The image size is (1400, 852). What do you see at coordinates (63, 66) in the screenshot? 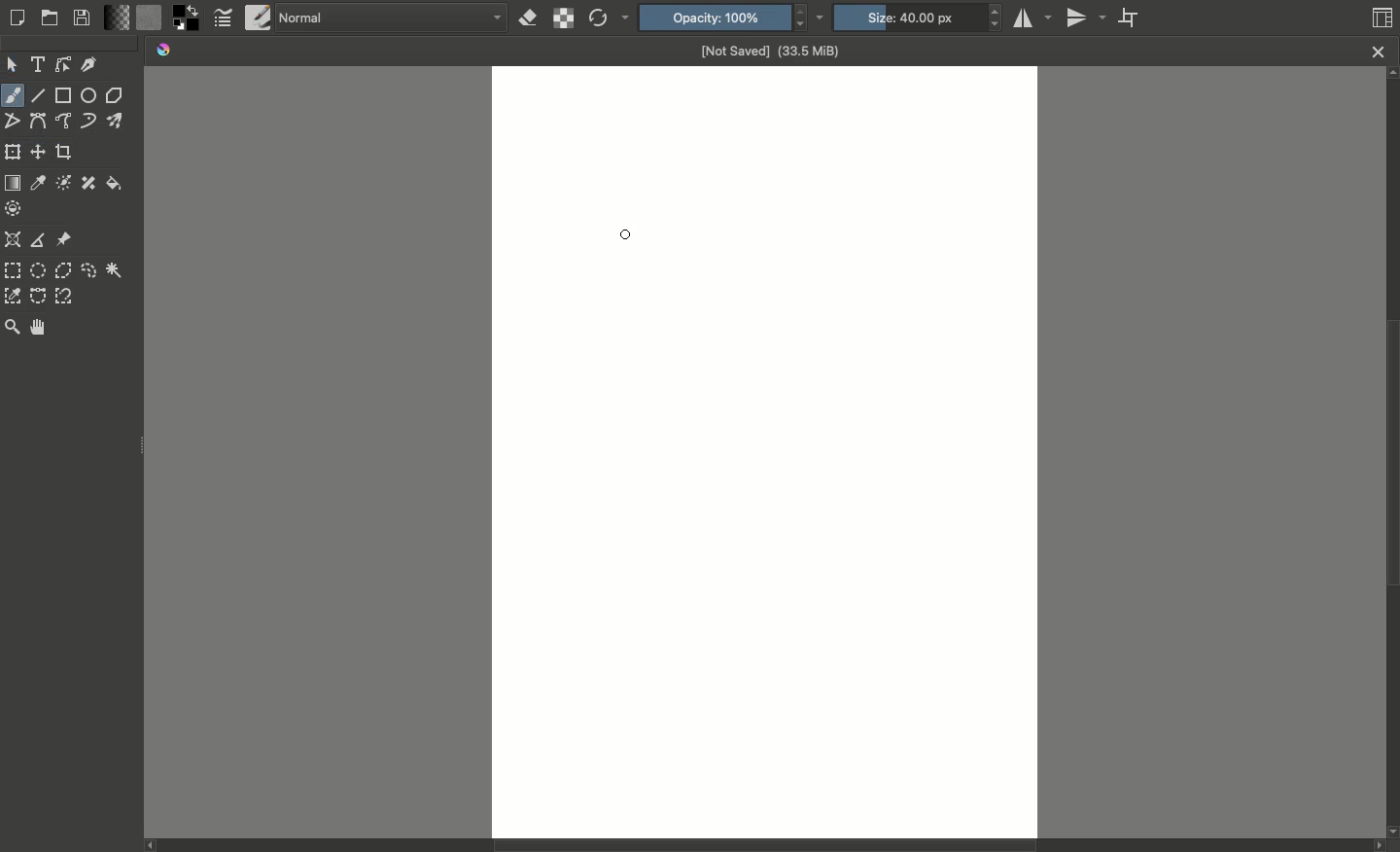
I see `Edit shapes tool` at bounding box center [63, 66].